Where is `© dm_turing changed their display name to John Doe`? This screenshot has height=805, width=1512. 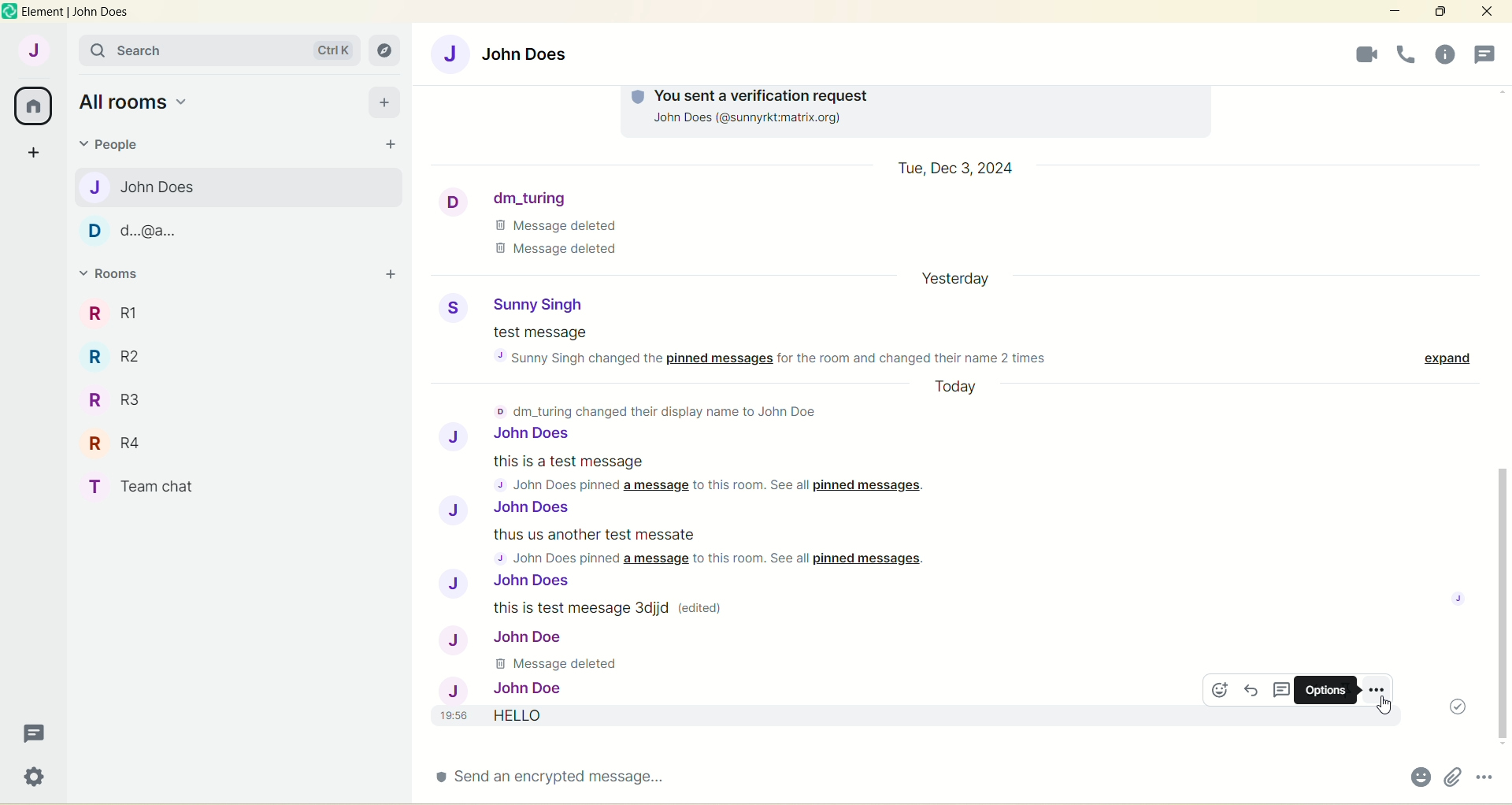
© dm_turing changed their display name to John Doe is located at coordinates (663, 410).